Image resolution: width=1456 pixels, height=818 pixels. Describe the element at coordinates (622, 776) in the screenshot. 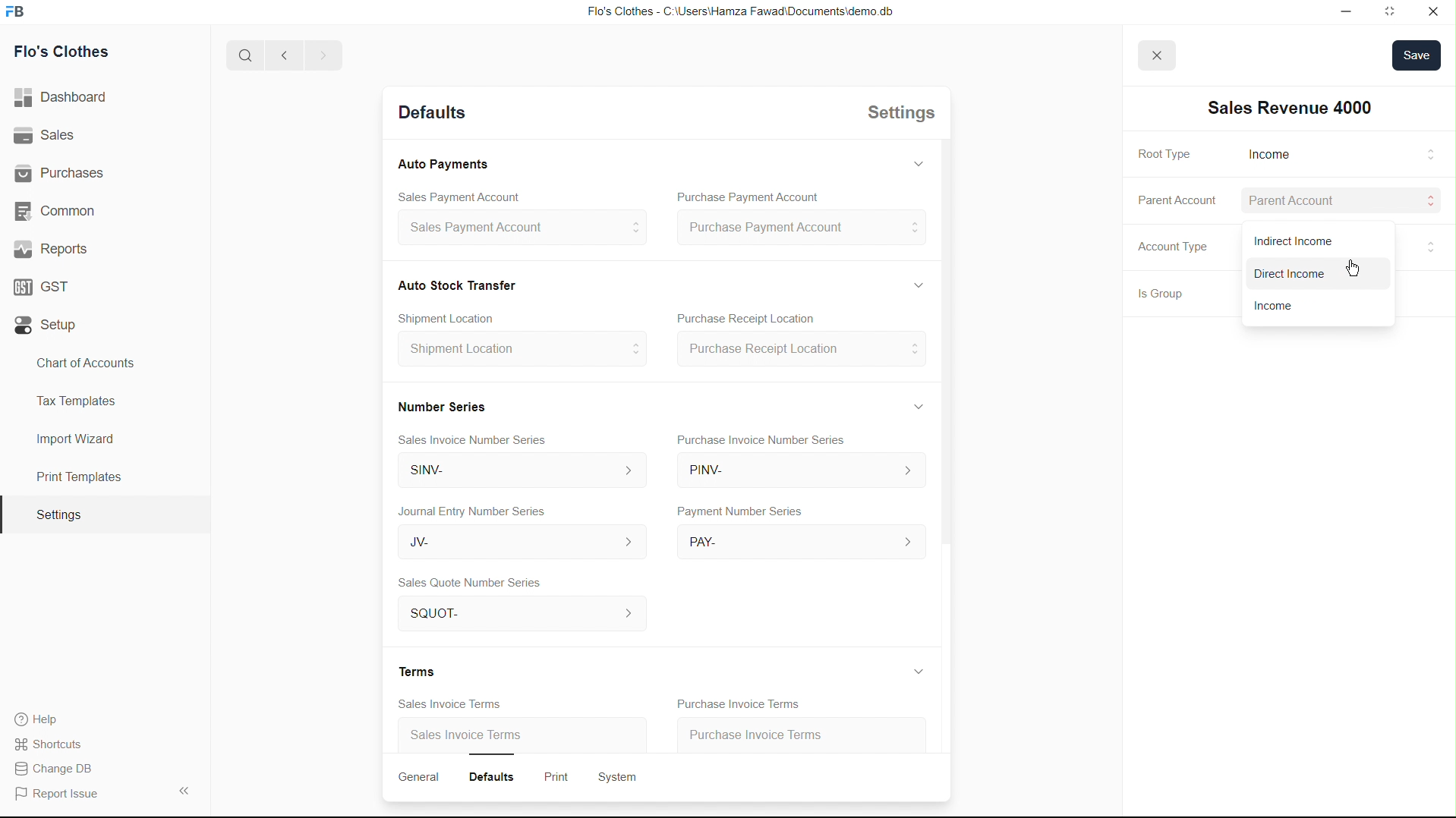

I see `System` at that location.